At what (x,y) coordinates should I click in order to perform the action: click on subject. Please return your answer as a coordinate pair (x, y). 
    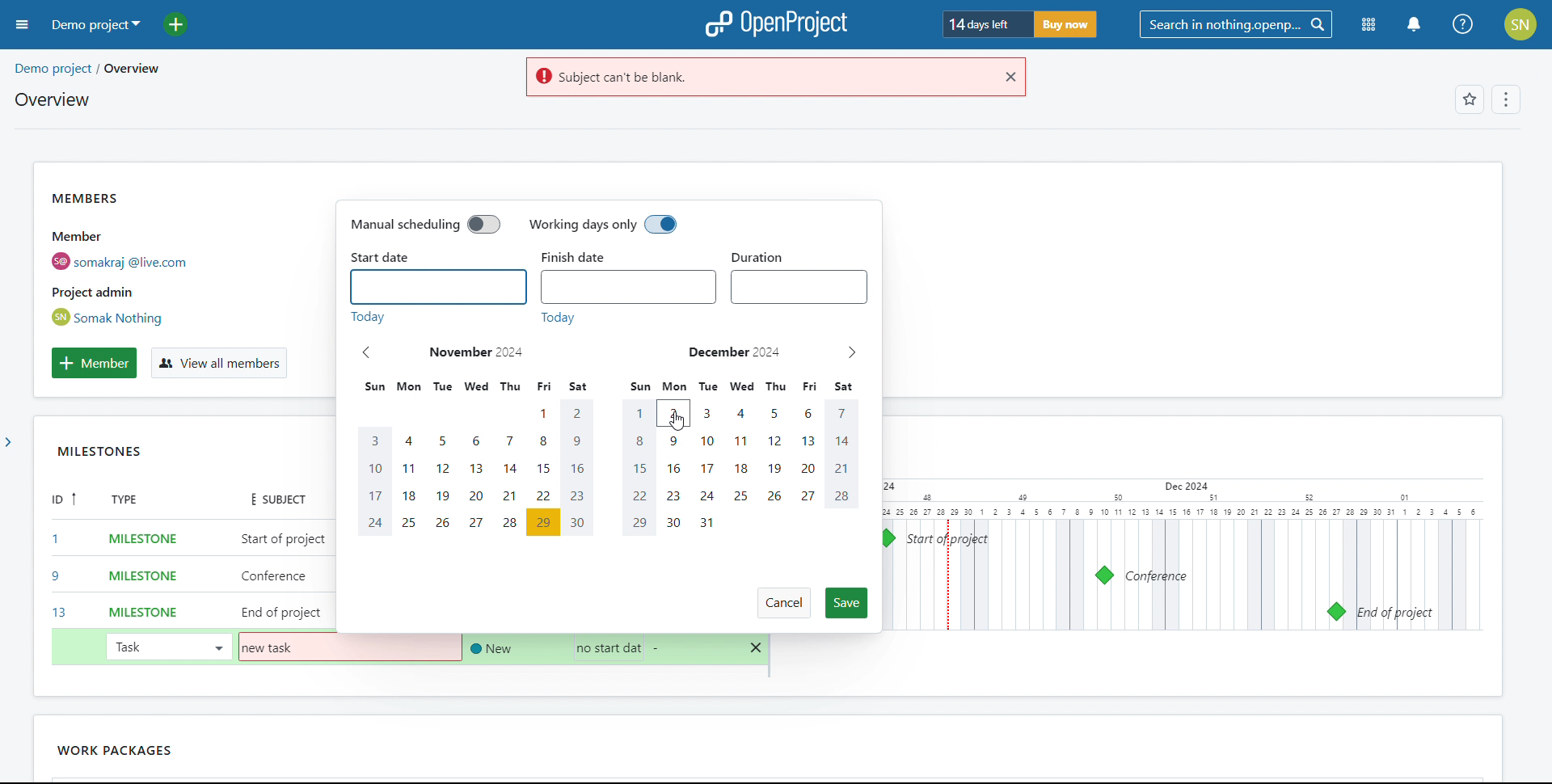
    Looking at the image, I should click on (272, 496).